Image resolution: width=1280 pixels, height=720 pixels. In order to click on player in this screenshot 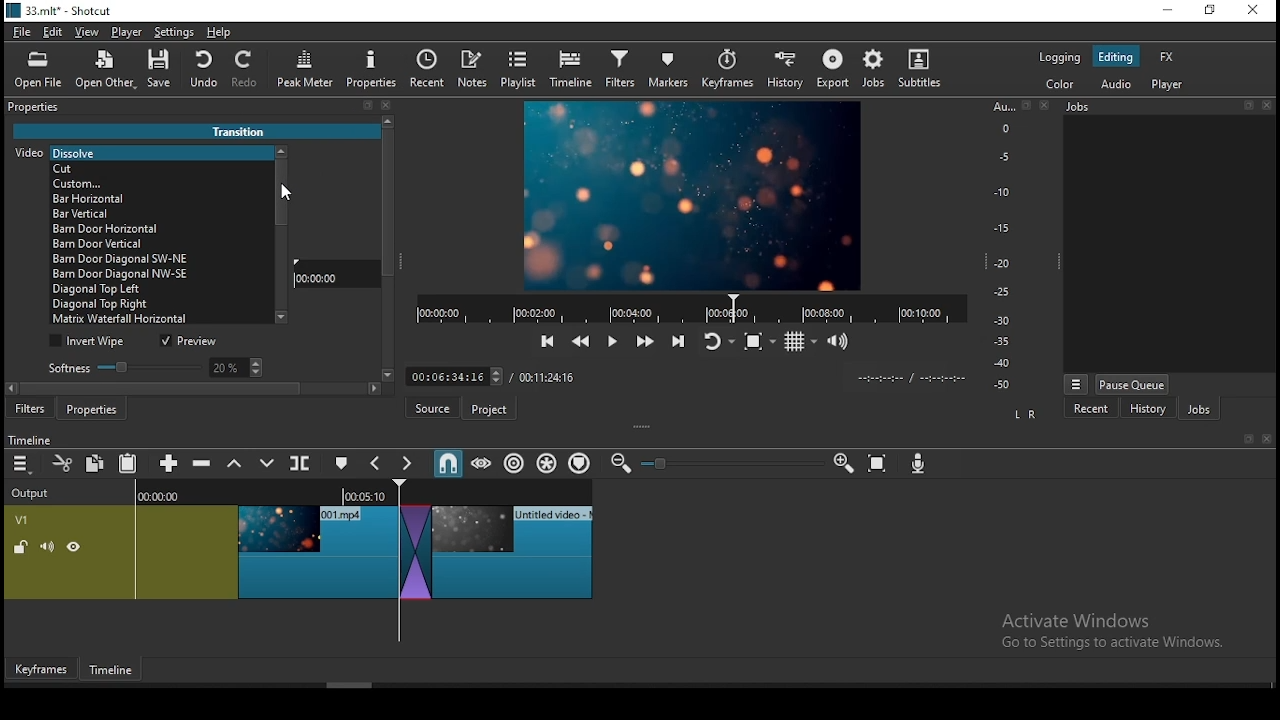, I will do `click(1168, 86)`.